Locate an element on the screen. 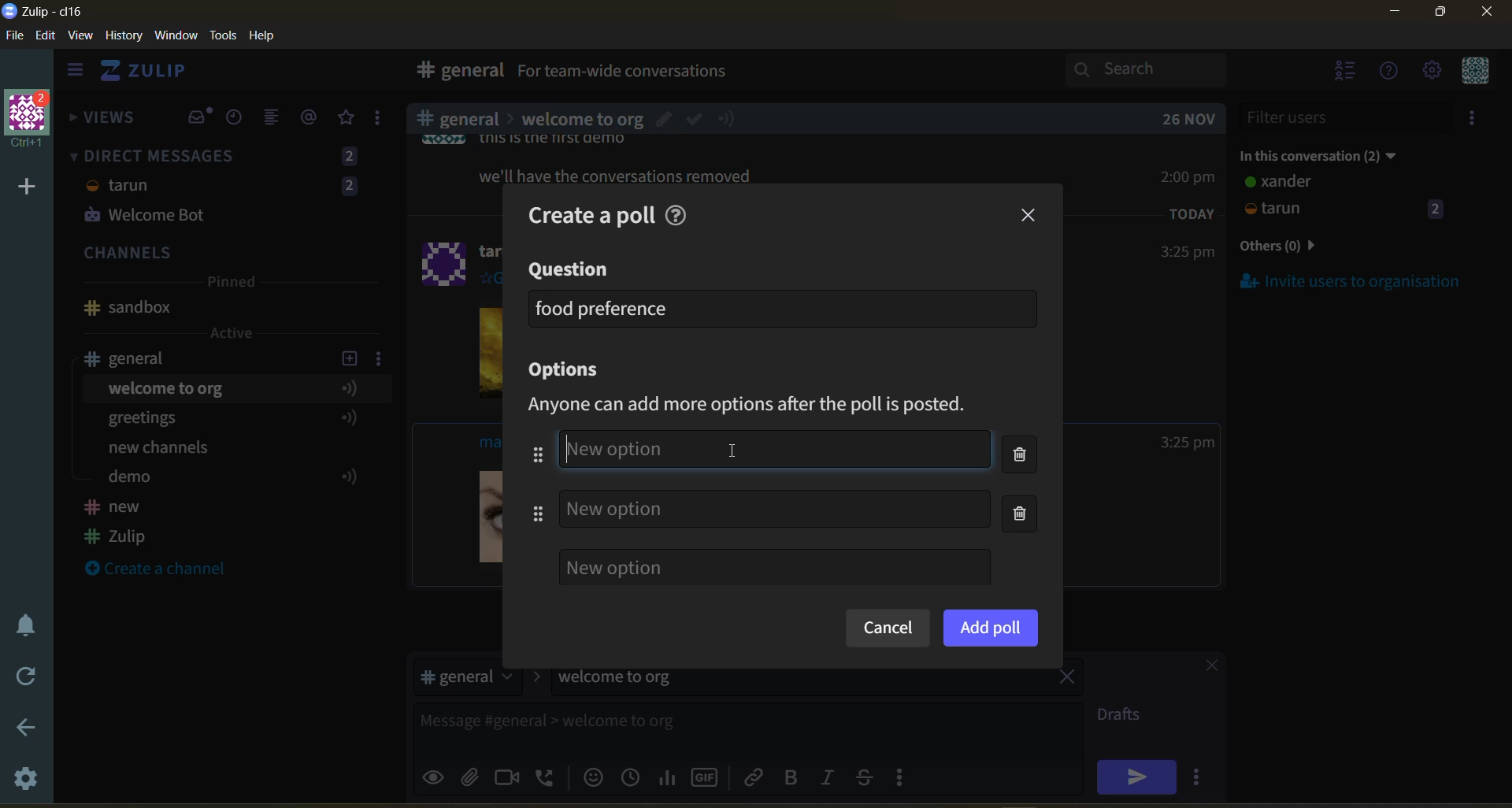 Image resolution: width=1512 pixels, height=808 pixels. others is located at coordinates (1303, 247).